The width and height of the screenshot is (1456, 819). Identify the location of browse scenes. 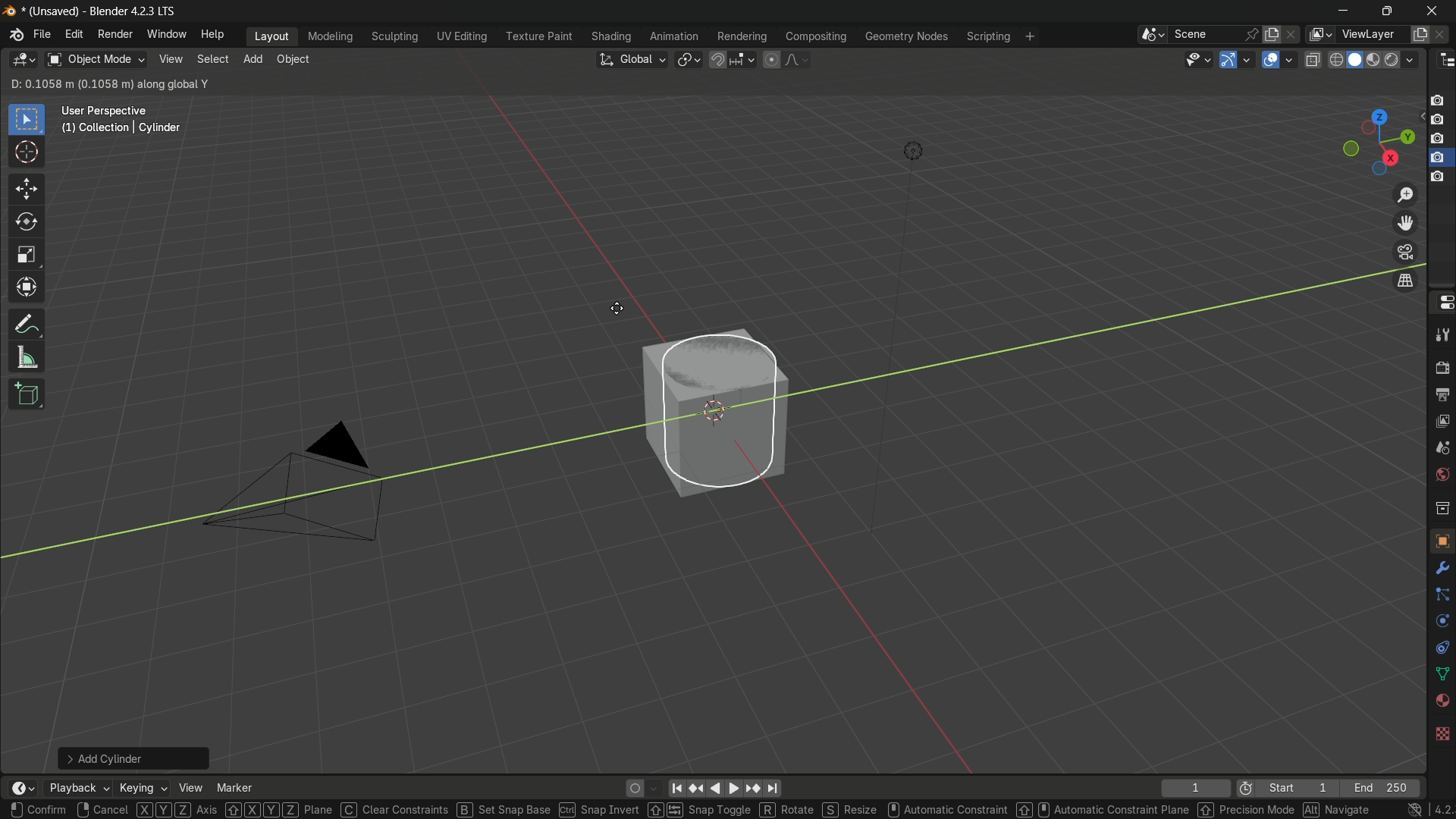
(1151, 35).